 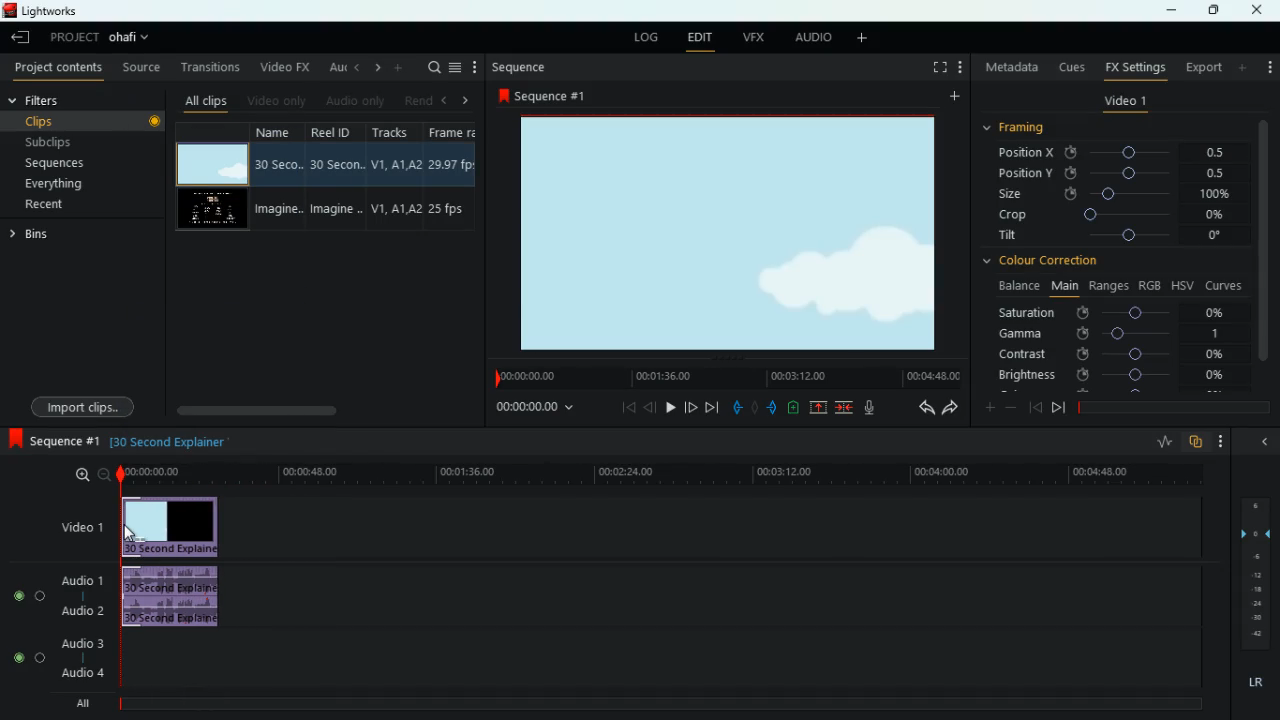 I want to click on time, so click(x=637, y=473).